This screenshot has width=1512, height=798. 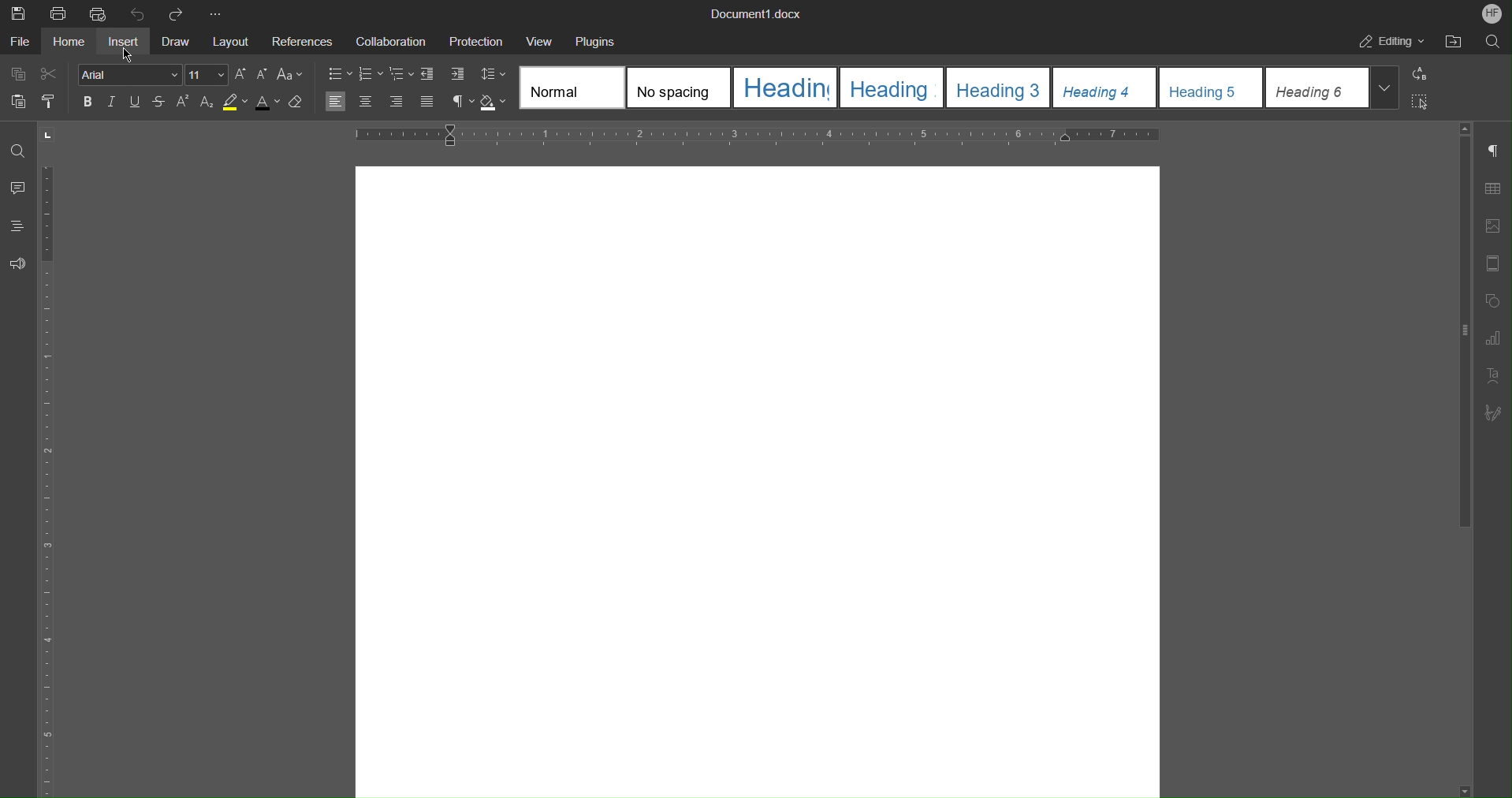 I want to click on Insert, so click(x=127, y=41).